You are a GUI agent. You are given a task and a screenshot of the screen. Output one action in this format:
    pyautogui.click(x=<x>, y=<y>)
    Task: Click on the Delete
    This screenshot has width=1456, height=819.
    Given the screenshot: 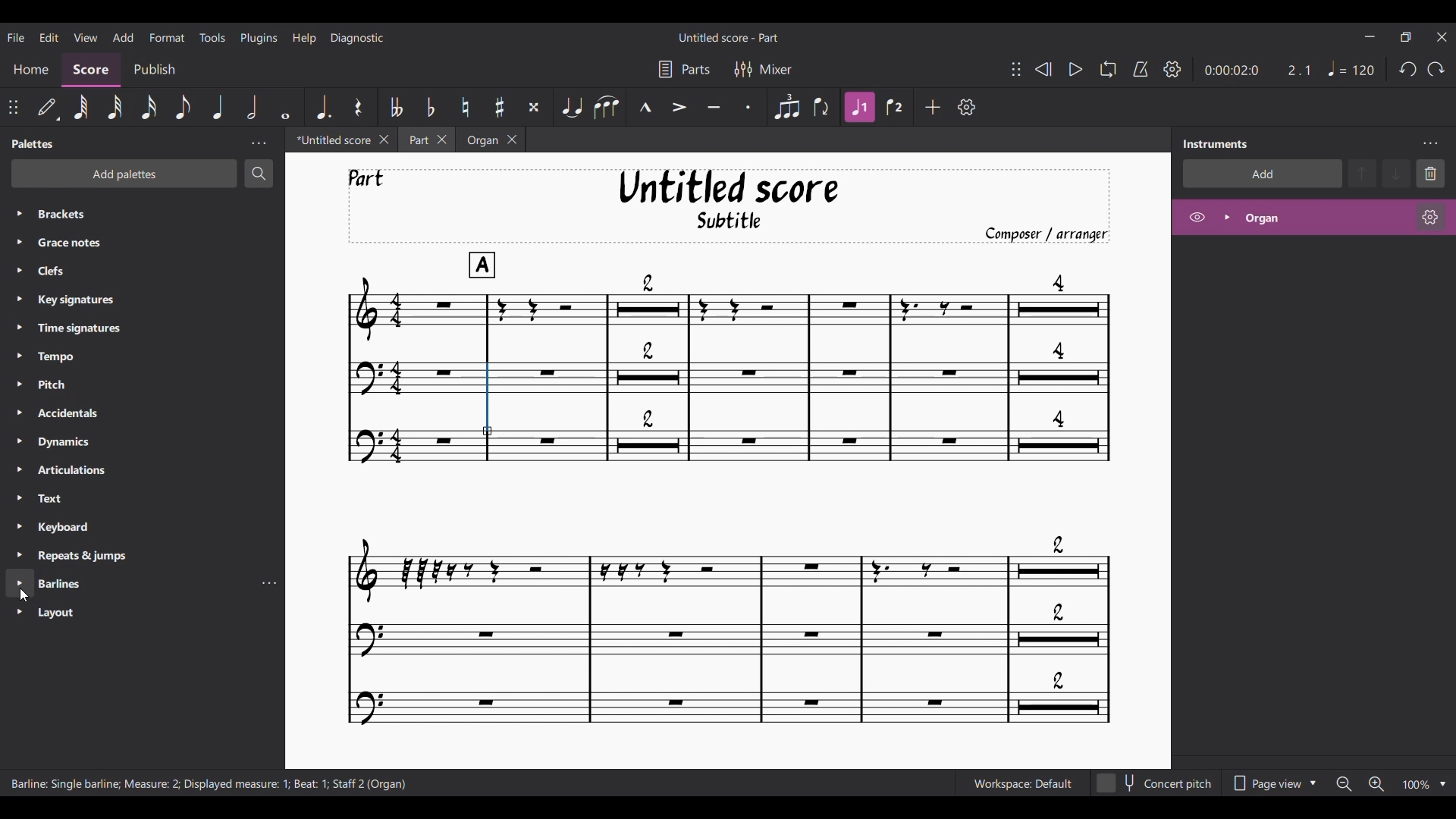 What is the action you would take?
    pyautogui.click(x=1431, y=174)
    